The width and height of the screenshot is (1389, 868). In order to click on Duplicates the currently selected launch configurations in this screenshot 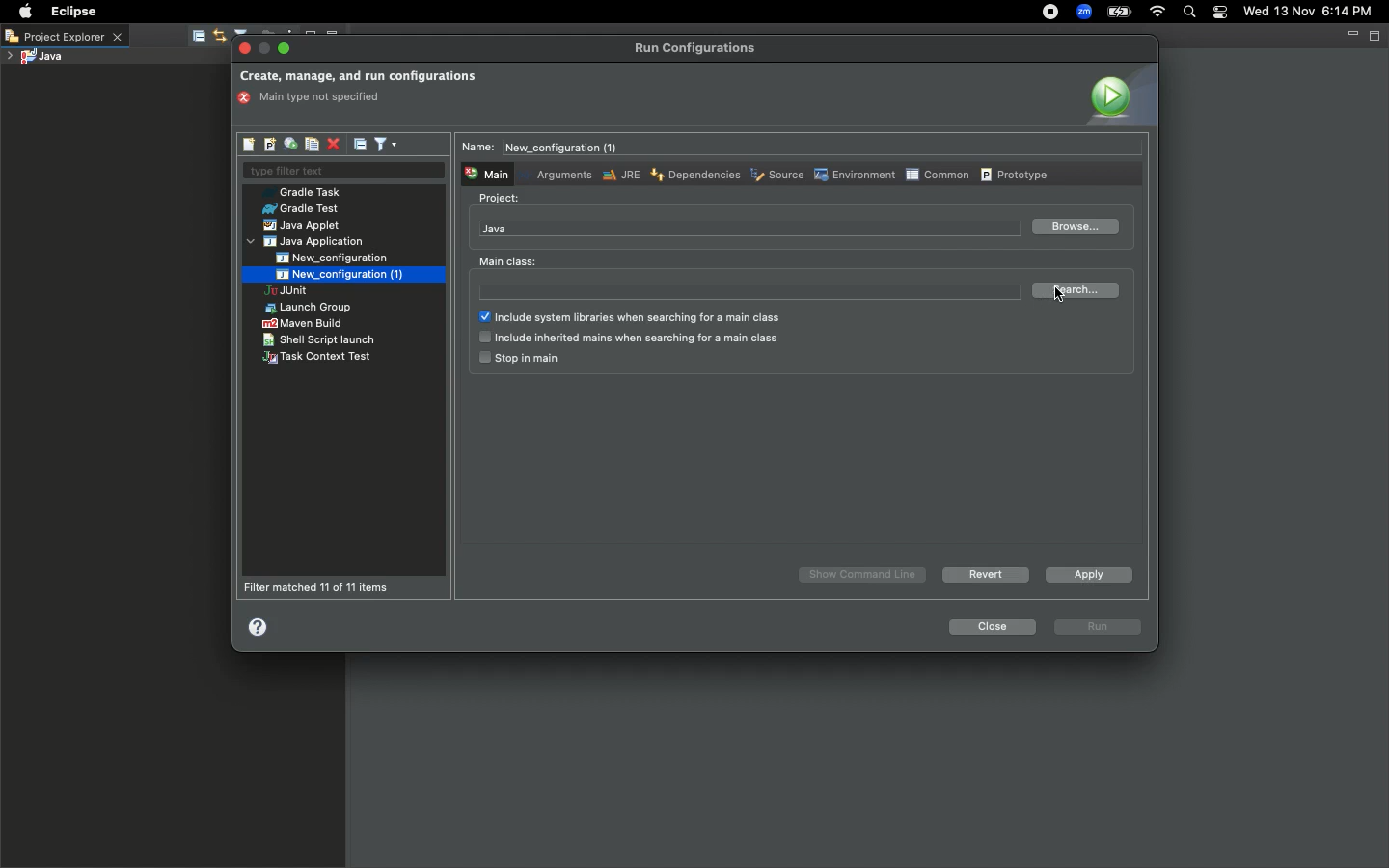, I will do `click(312, 145)`.